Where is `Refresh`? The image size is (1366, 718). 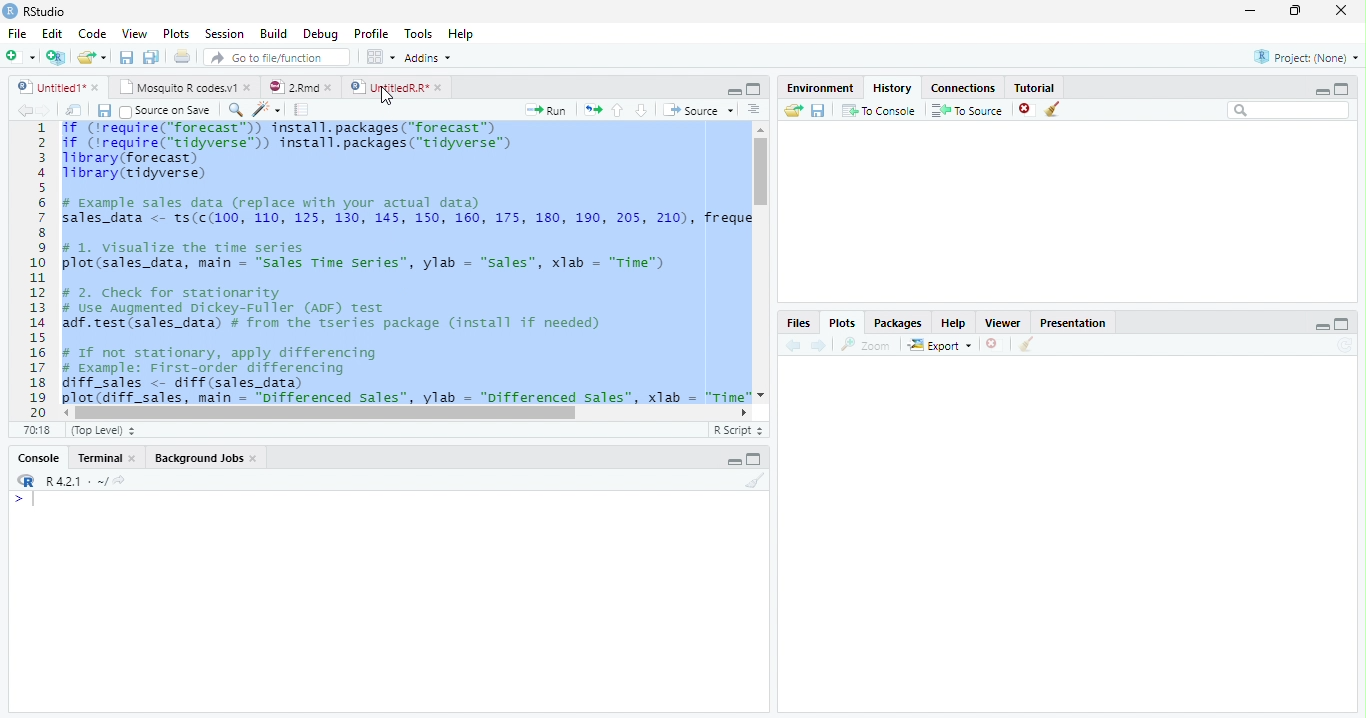
Refresh is located at coordinates (1345, 346).